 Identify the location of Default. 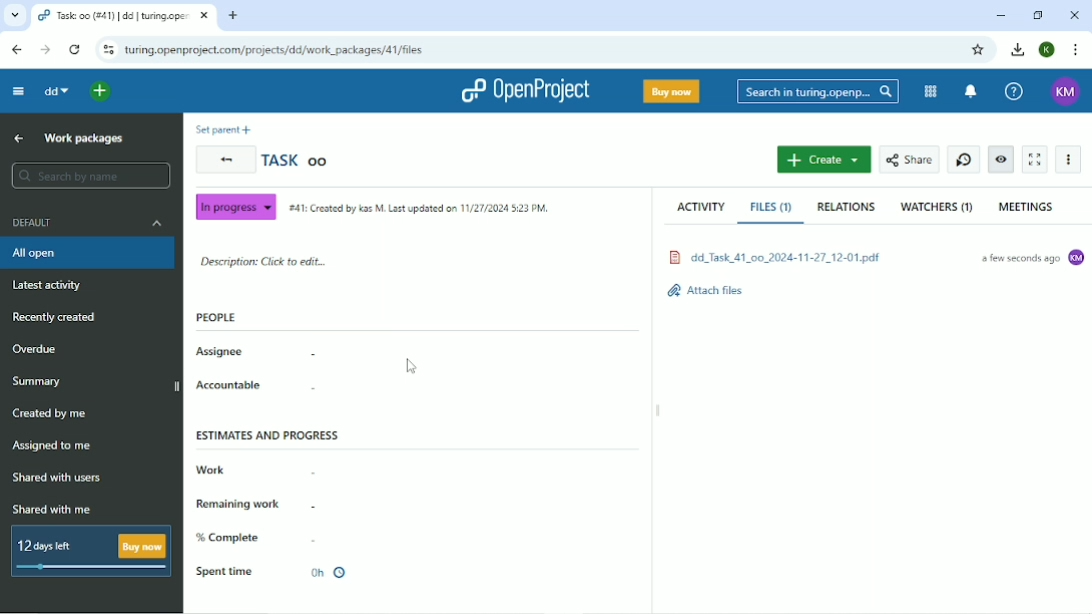
(87, 223).